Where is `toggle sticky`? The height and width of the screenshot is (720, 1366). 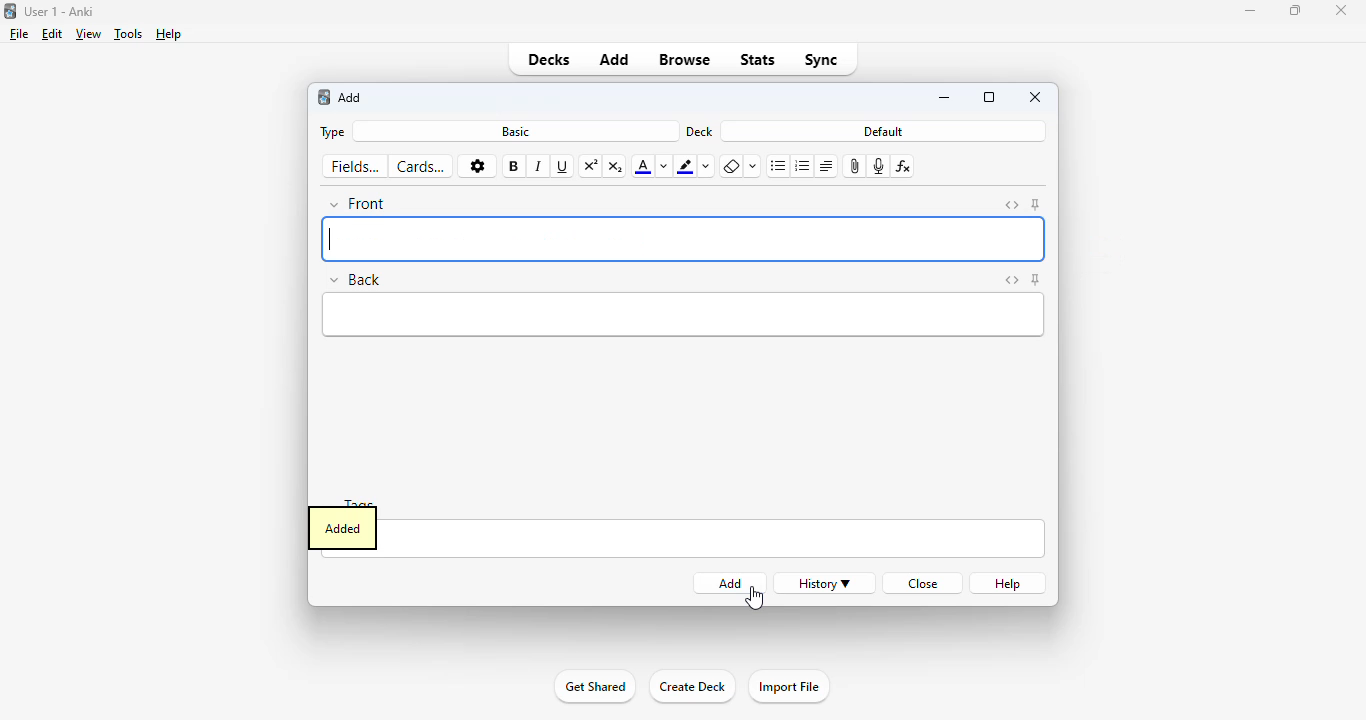
toggle sticky is located at coordinates (1036, 280).